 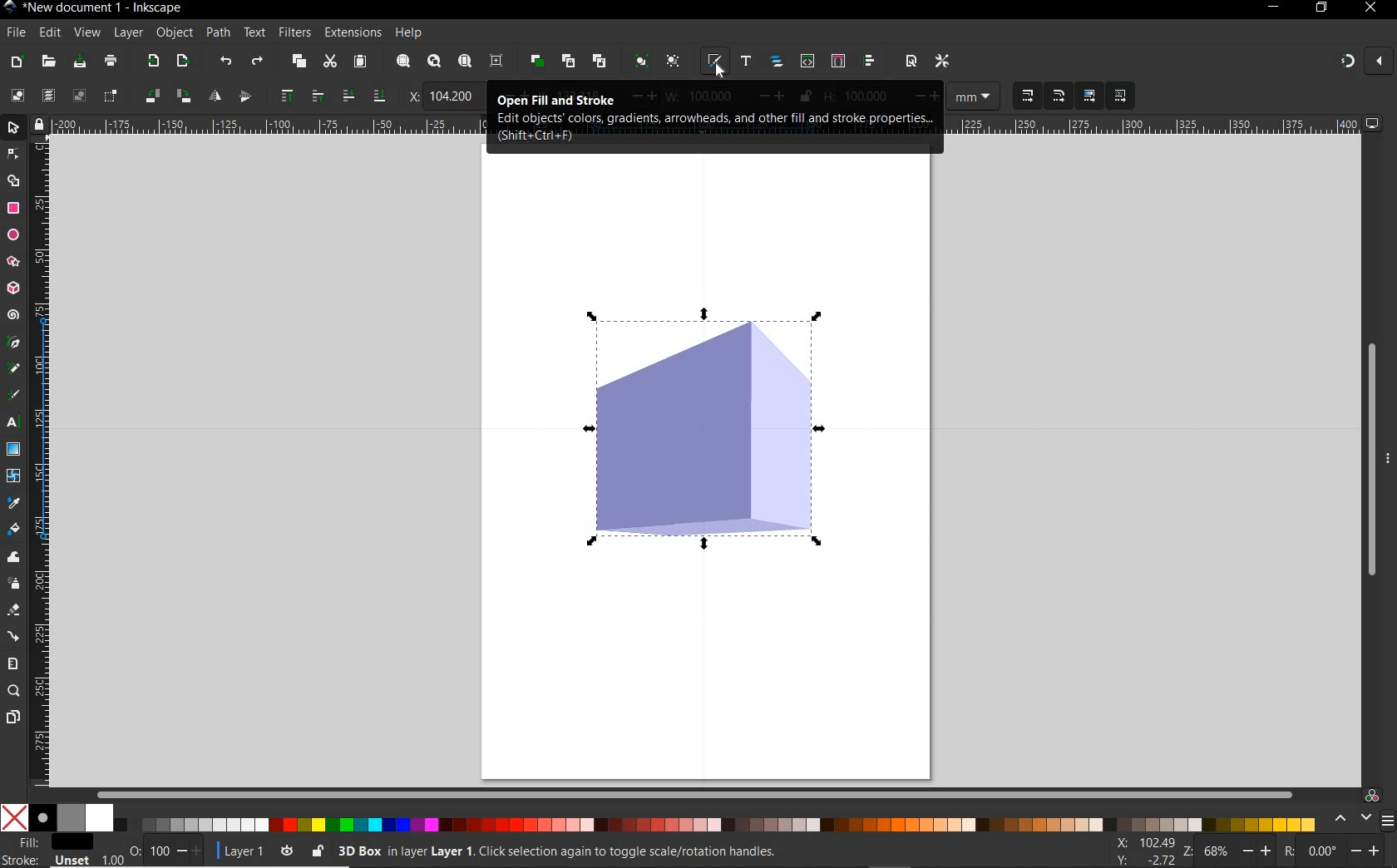 I want to click on OBJECT ROTATE, so click(x=181, y=94).